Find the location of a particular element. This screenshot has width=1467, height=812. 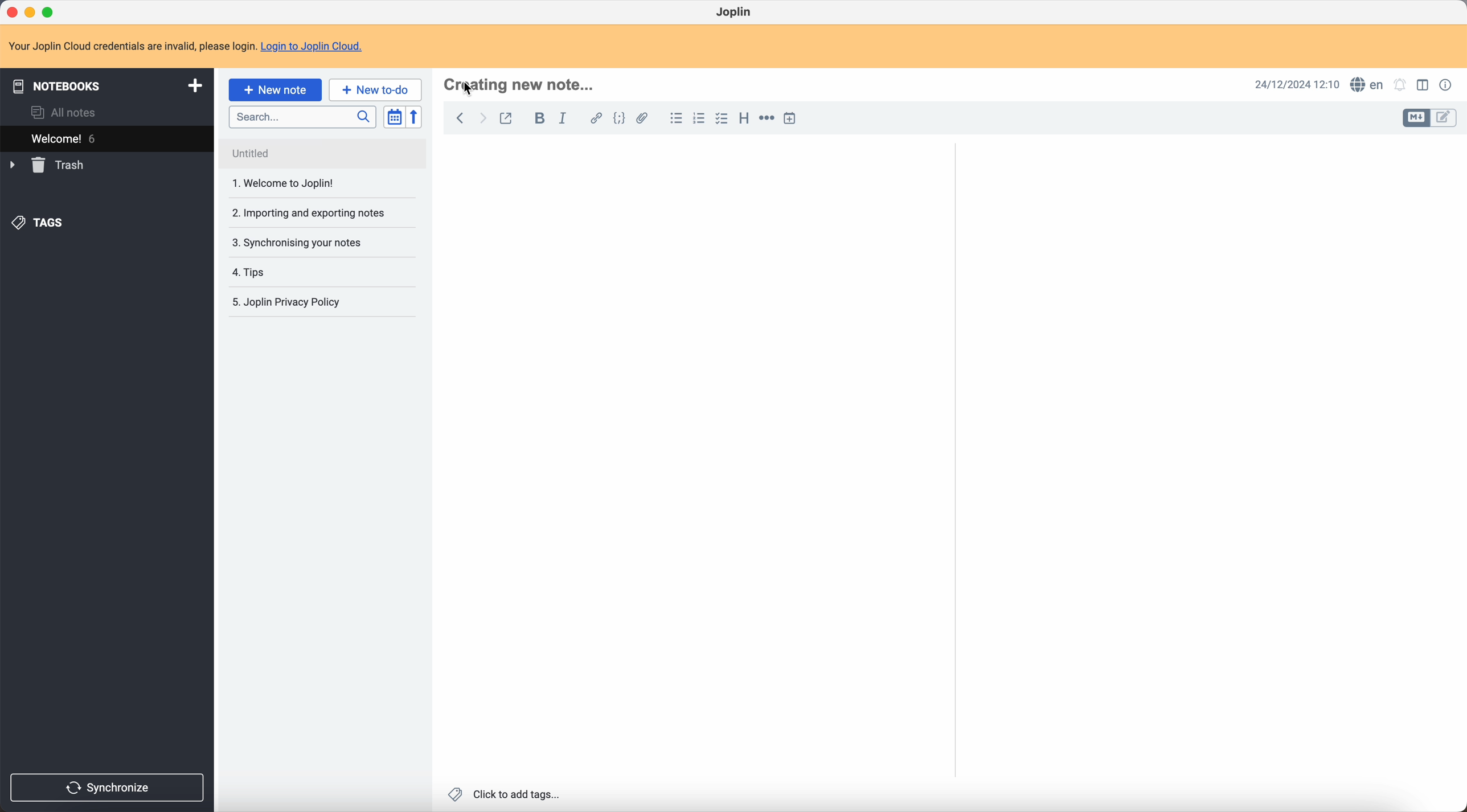

click to add tags is located at coordinates (506, 795).